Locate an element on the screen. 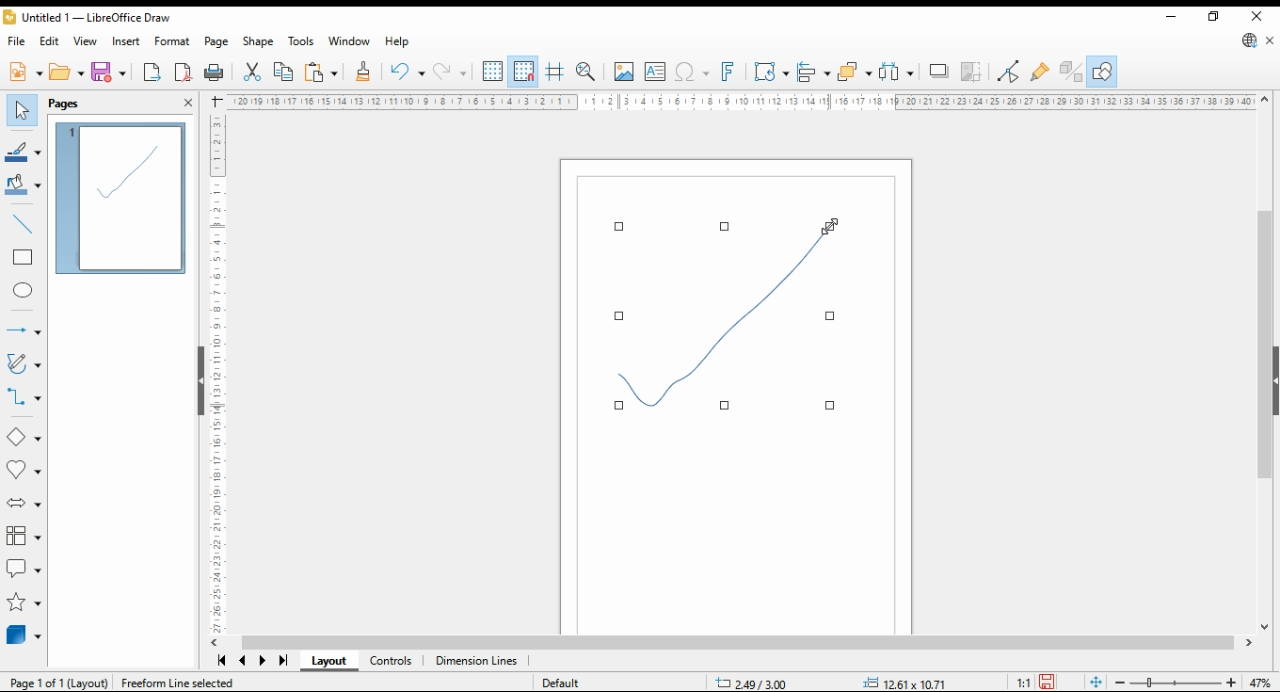 This screenshot has width=1280, height=692. line color is located at coordinates (24, 151).